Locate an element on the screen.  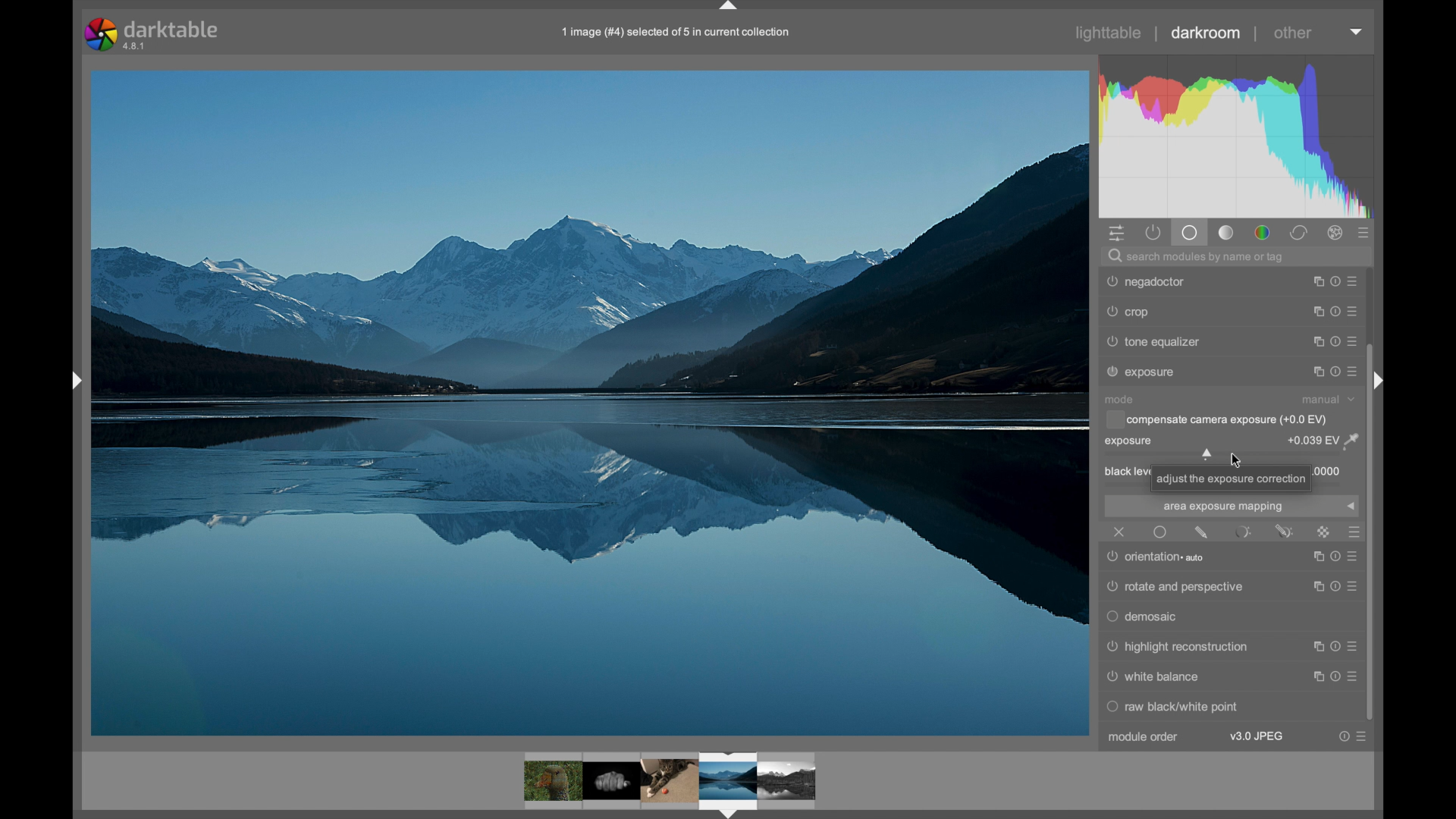
demosaic is located at coordinates (1144, 618).